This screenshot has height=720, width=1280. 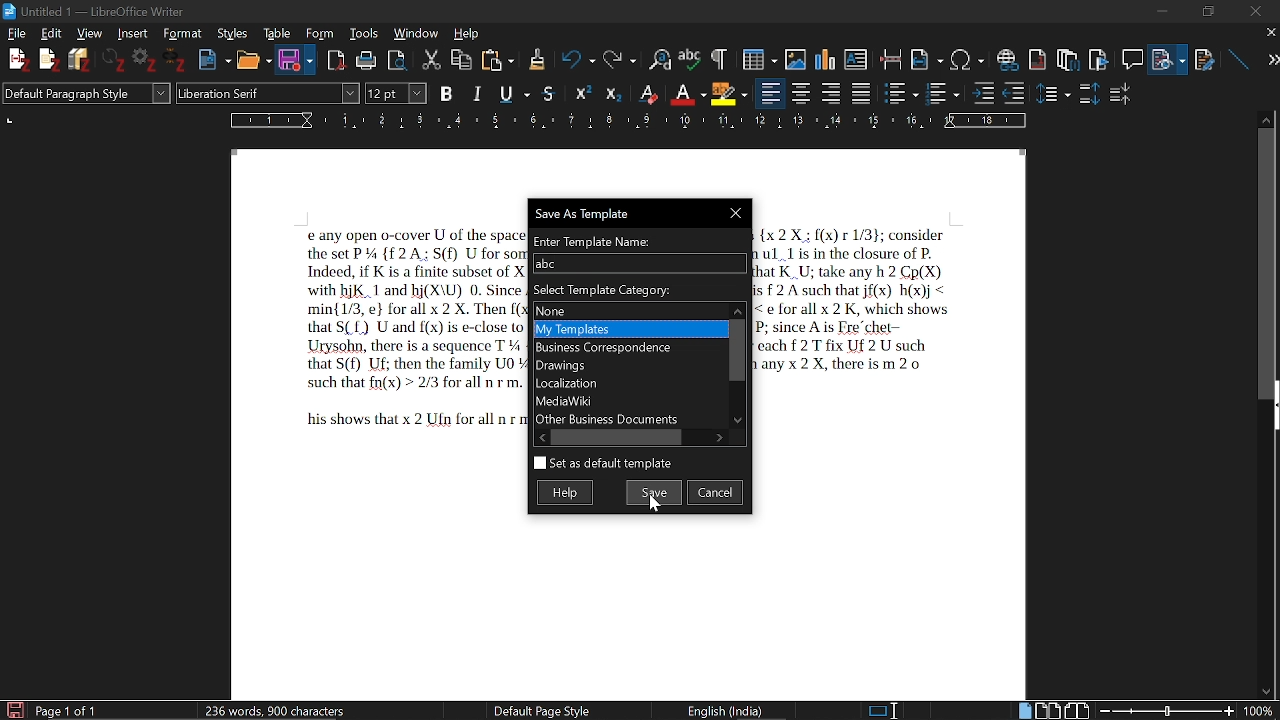 What do you see at coordinates (585, 92) in the screenshot?
I see `` at bounding box center [585, 92].